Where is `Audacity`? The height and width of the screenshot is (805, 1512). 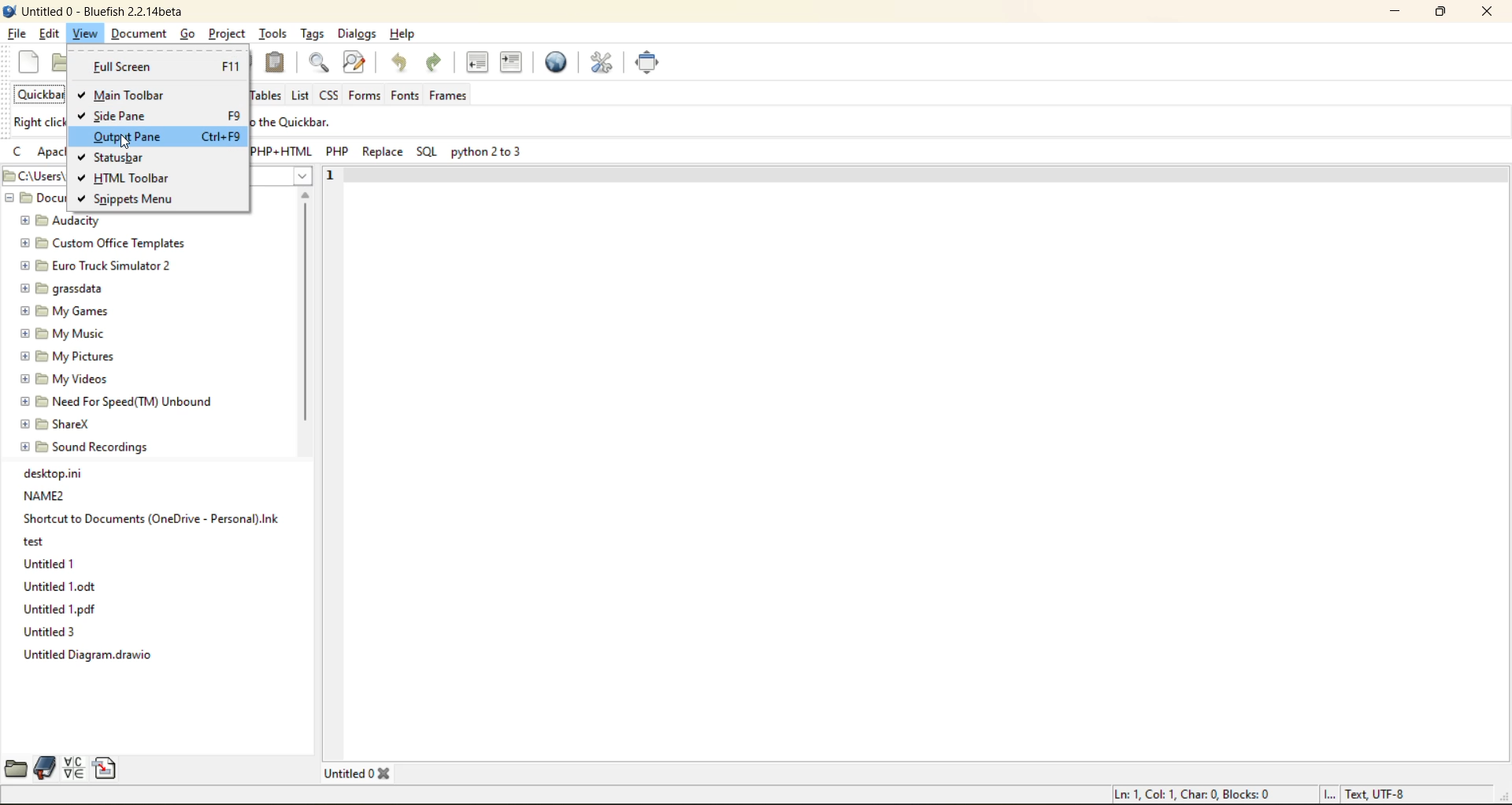 Audacity is located at coordinates (64, 221).